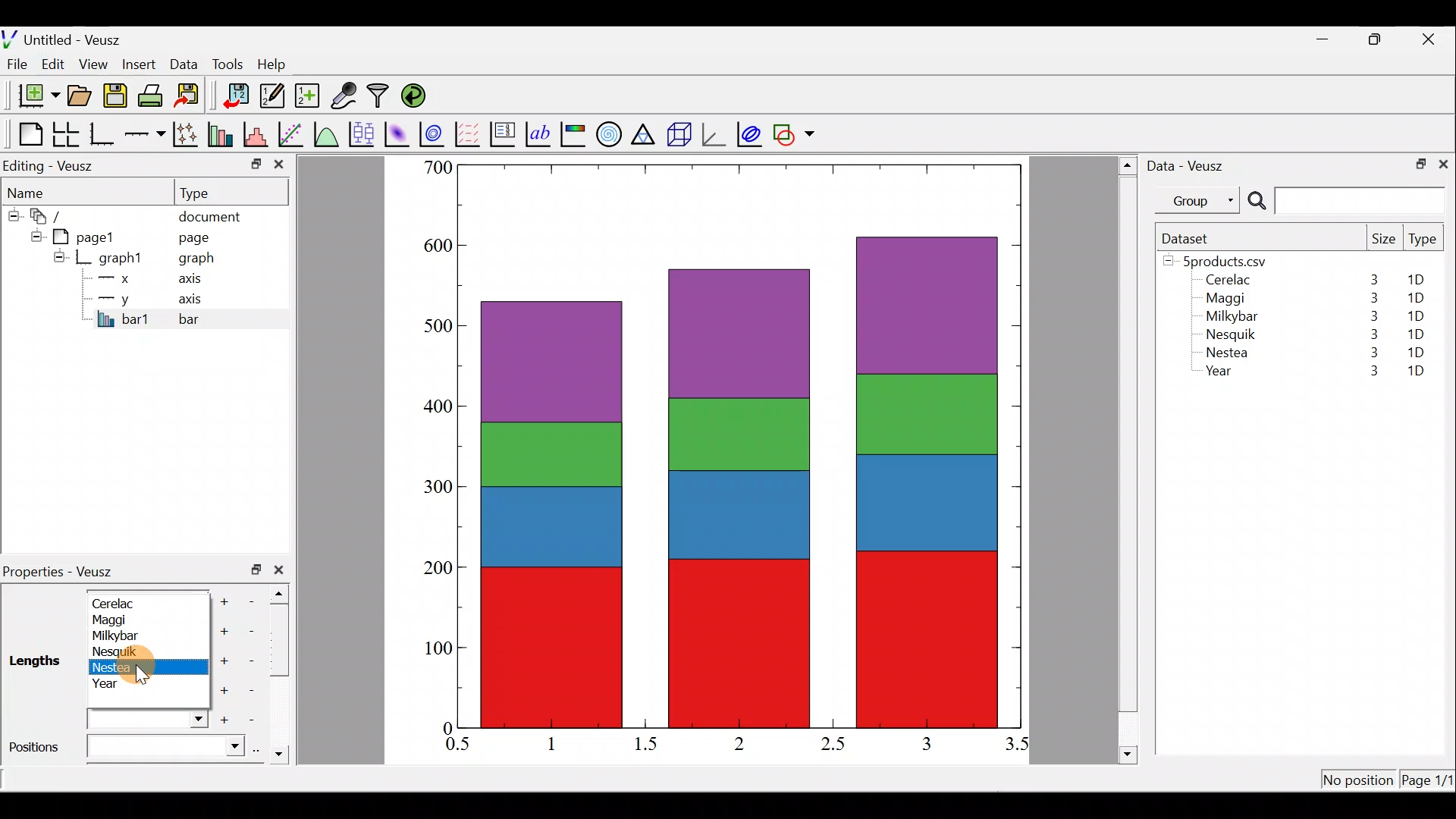 The width and height of the screenshot is (1456, 819). I want to click on Data, so click(184, 63).